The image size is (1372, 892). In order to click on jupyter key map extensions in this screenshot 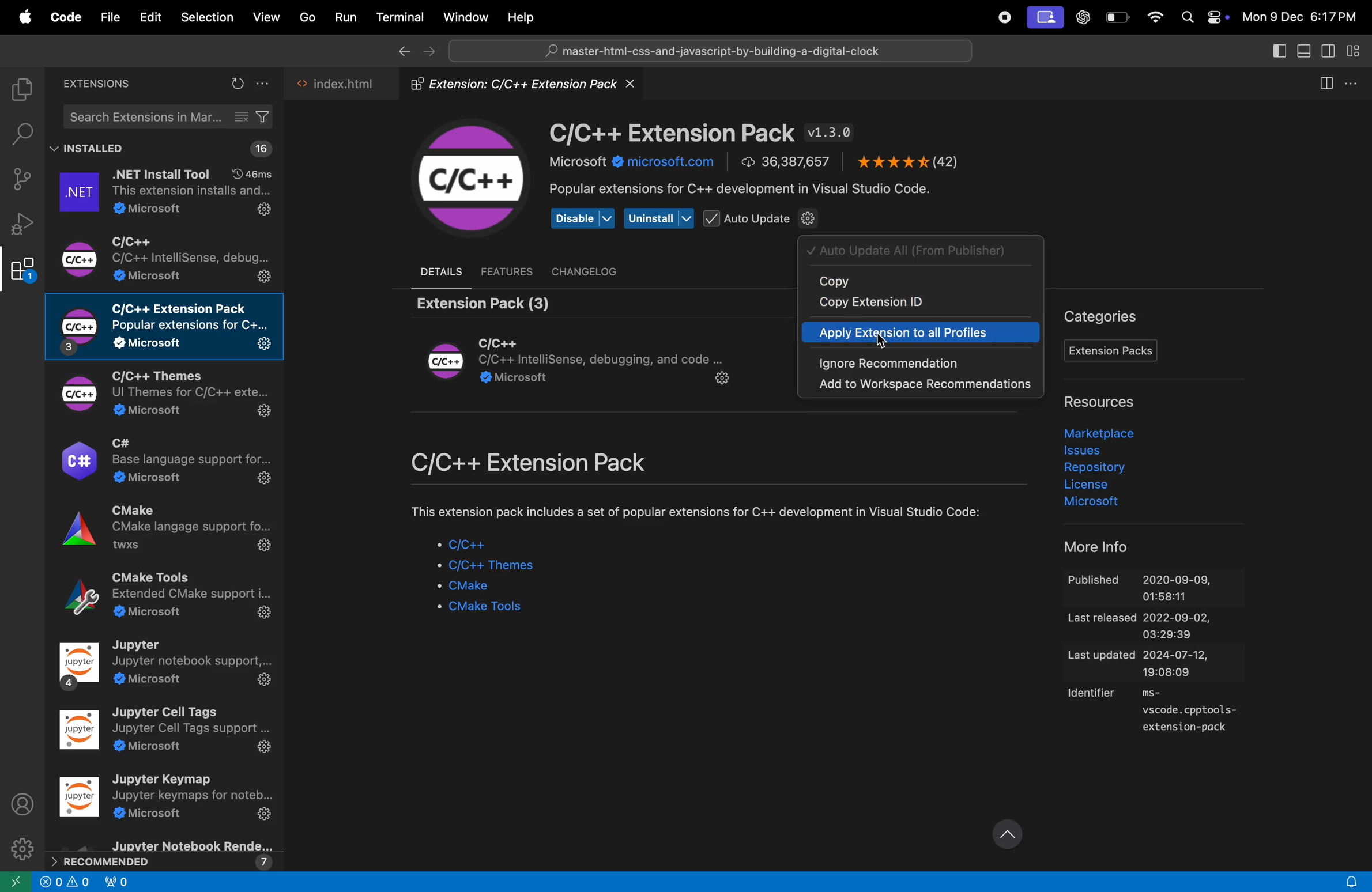, I will do `click(167, 799)`.